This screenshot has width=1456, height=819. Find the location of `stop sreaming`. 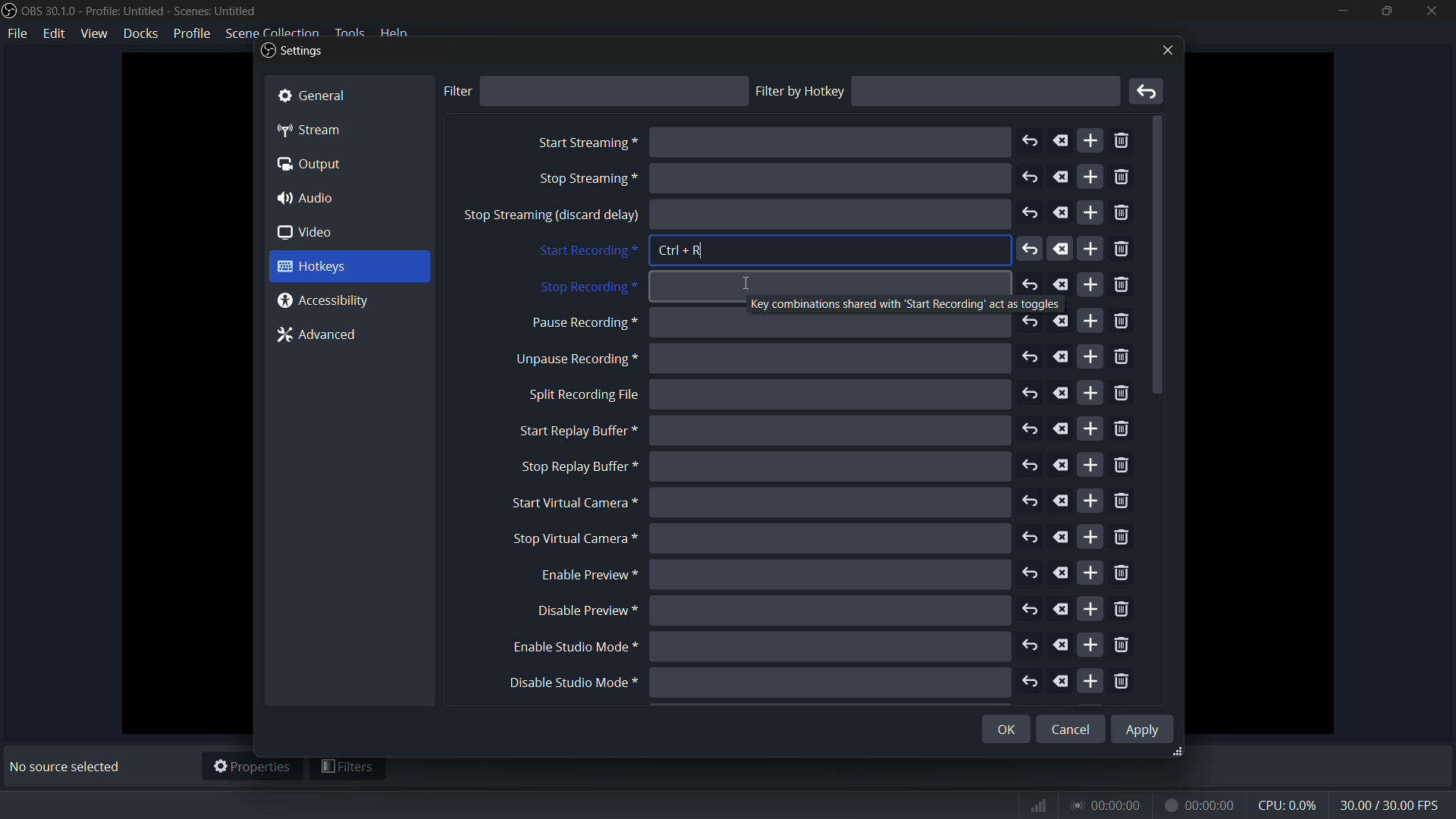

stop sreaming is located at coordinates (551, 217).